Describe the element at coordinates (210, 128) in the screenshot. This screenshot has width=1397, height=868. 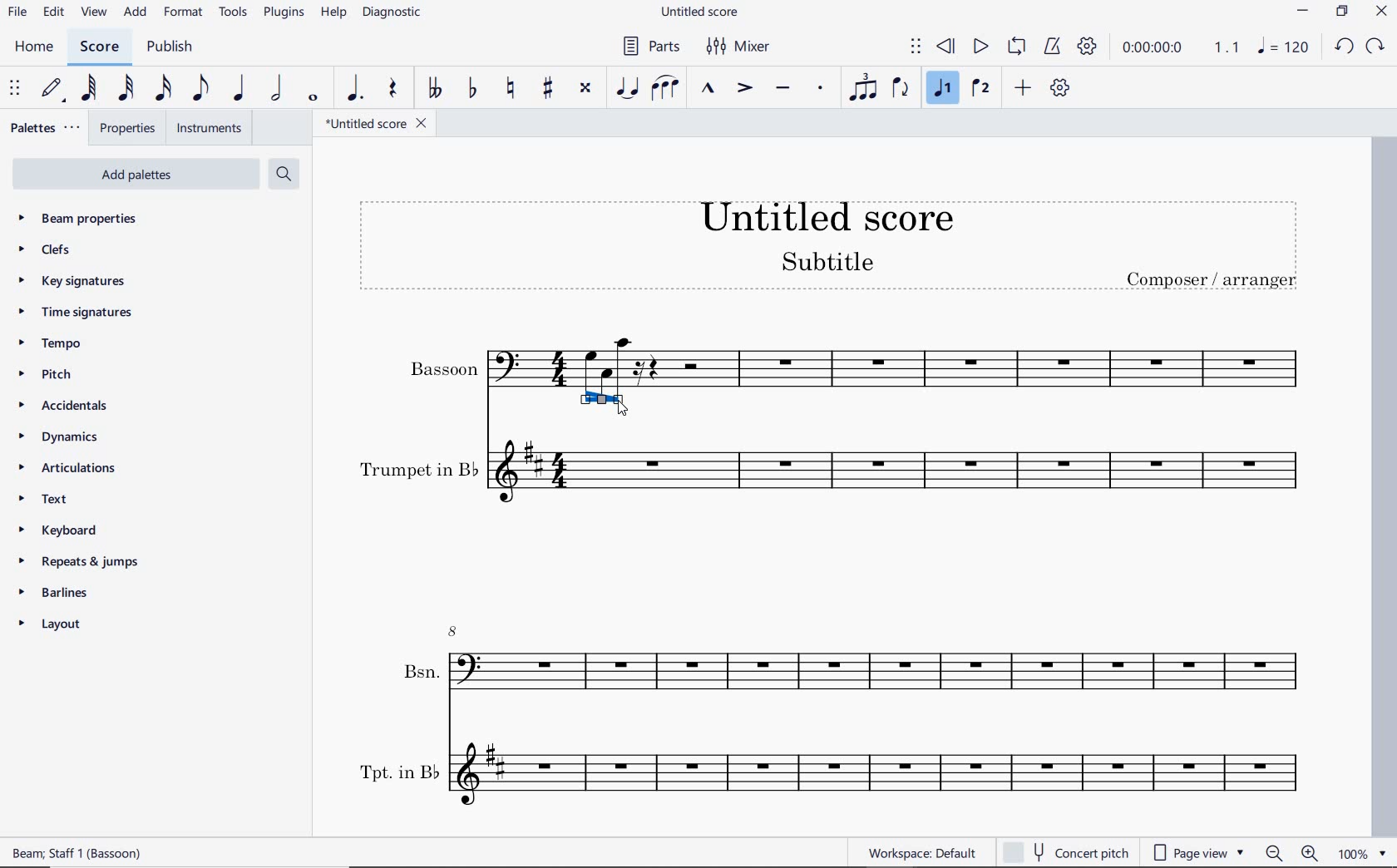
I see `instruments` at that location.